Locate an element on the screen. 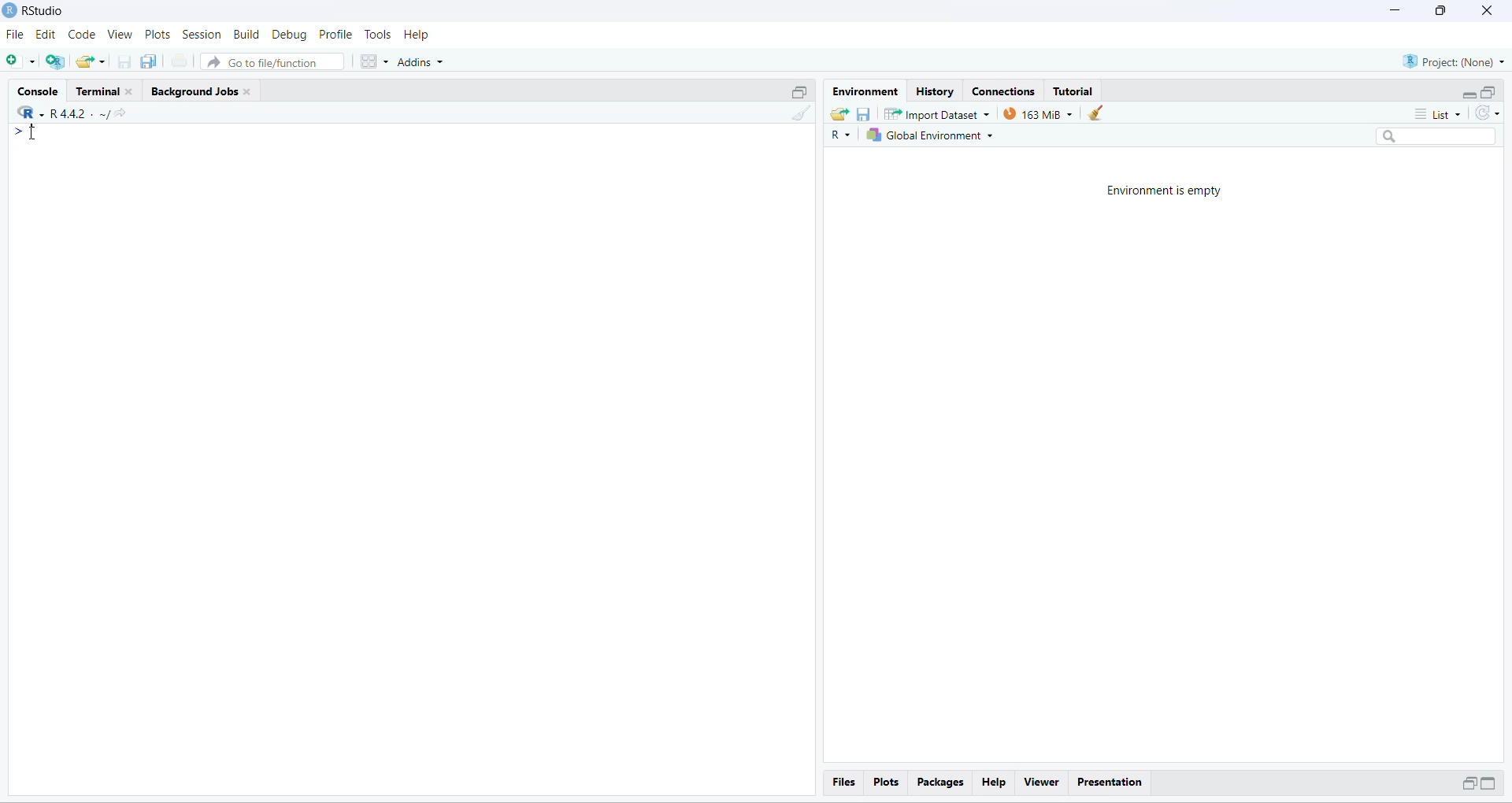  Go to file/function is located at coordinates (271, 62).